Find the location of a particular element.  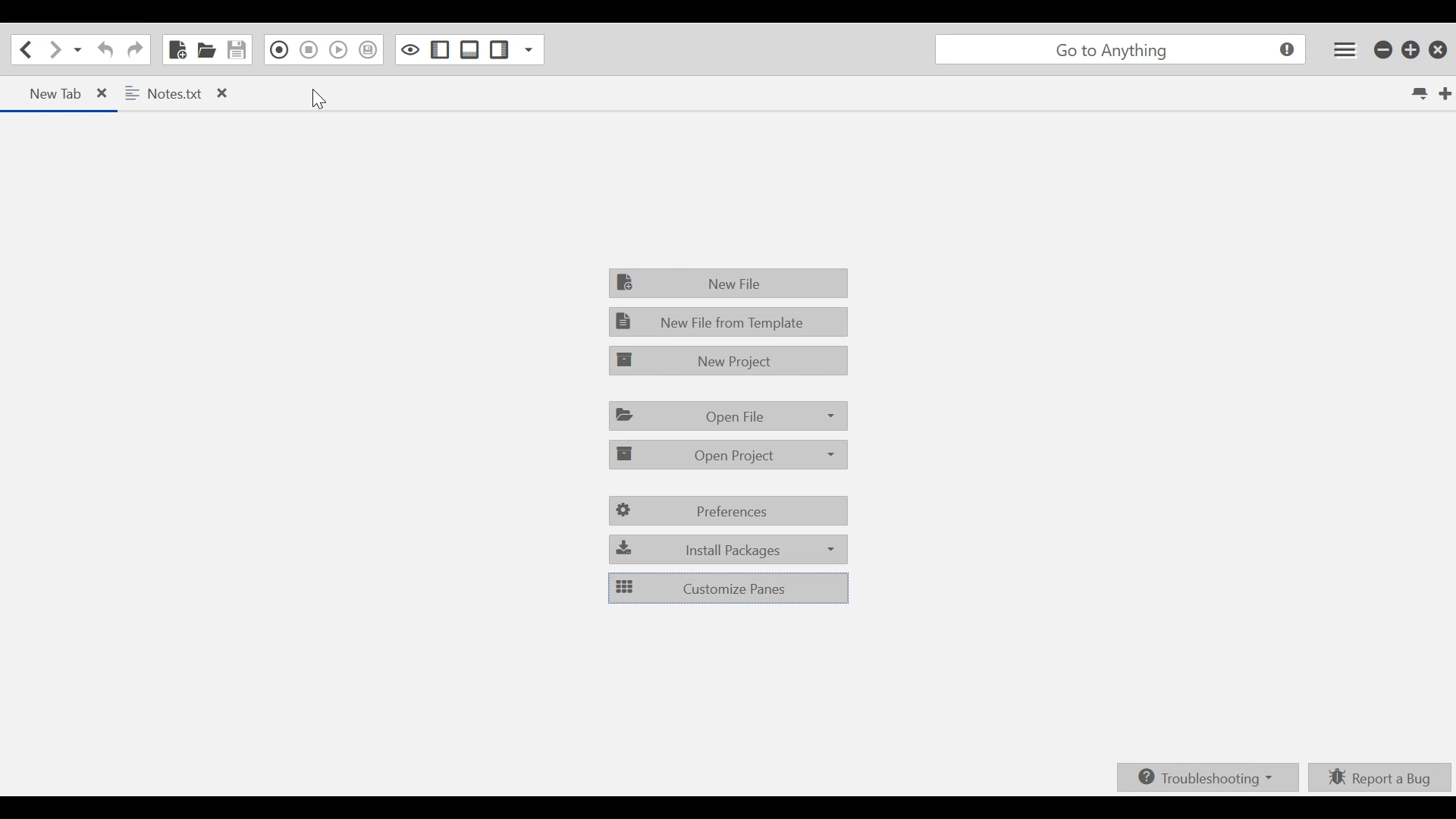

New File from template is located at coordinates (727, 323).